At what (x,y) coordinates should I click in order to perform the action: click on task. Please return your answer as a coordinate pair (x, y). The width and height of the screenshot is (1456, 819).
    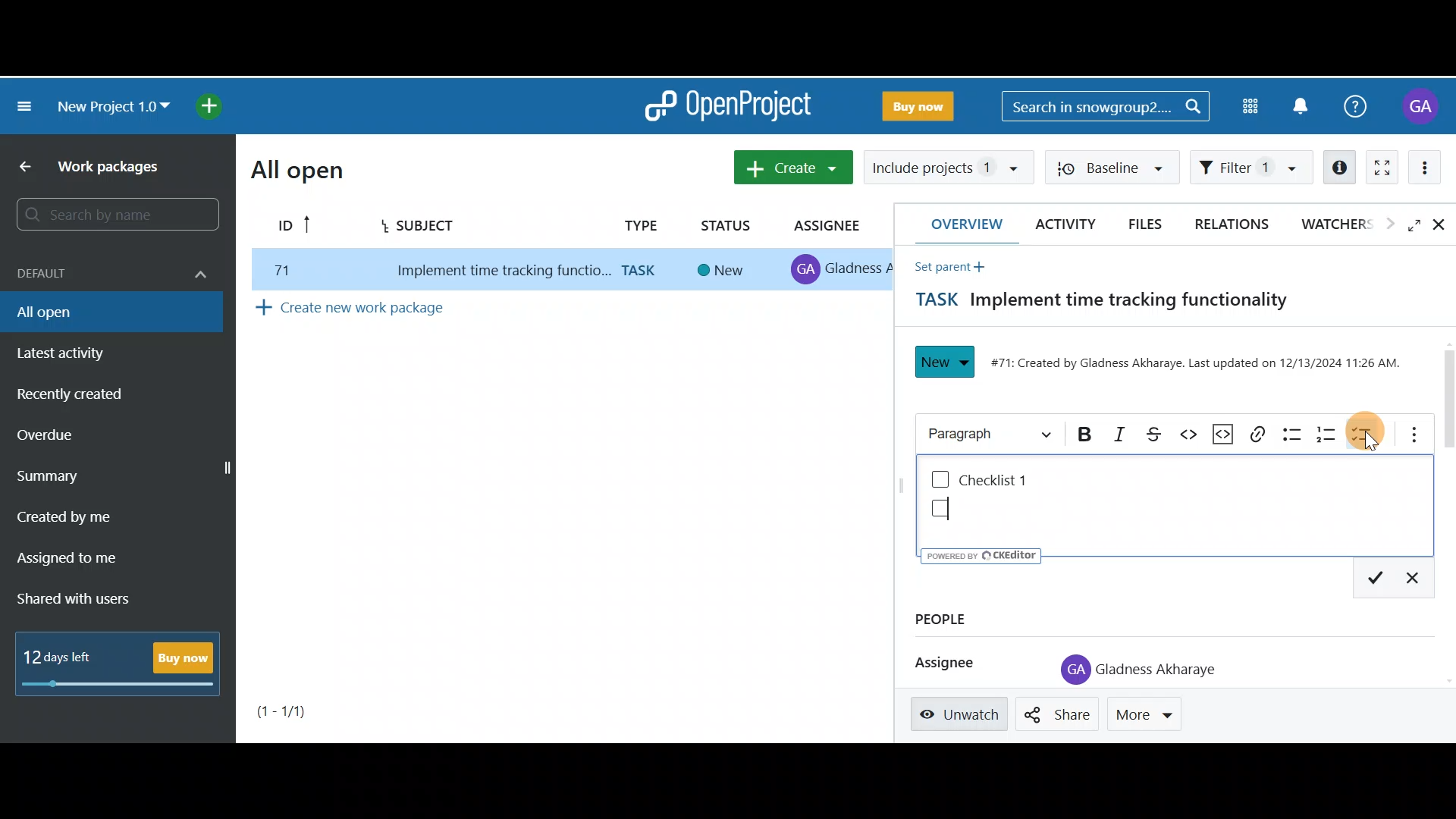
    Looking at the image, I should click on (643, 271).